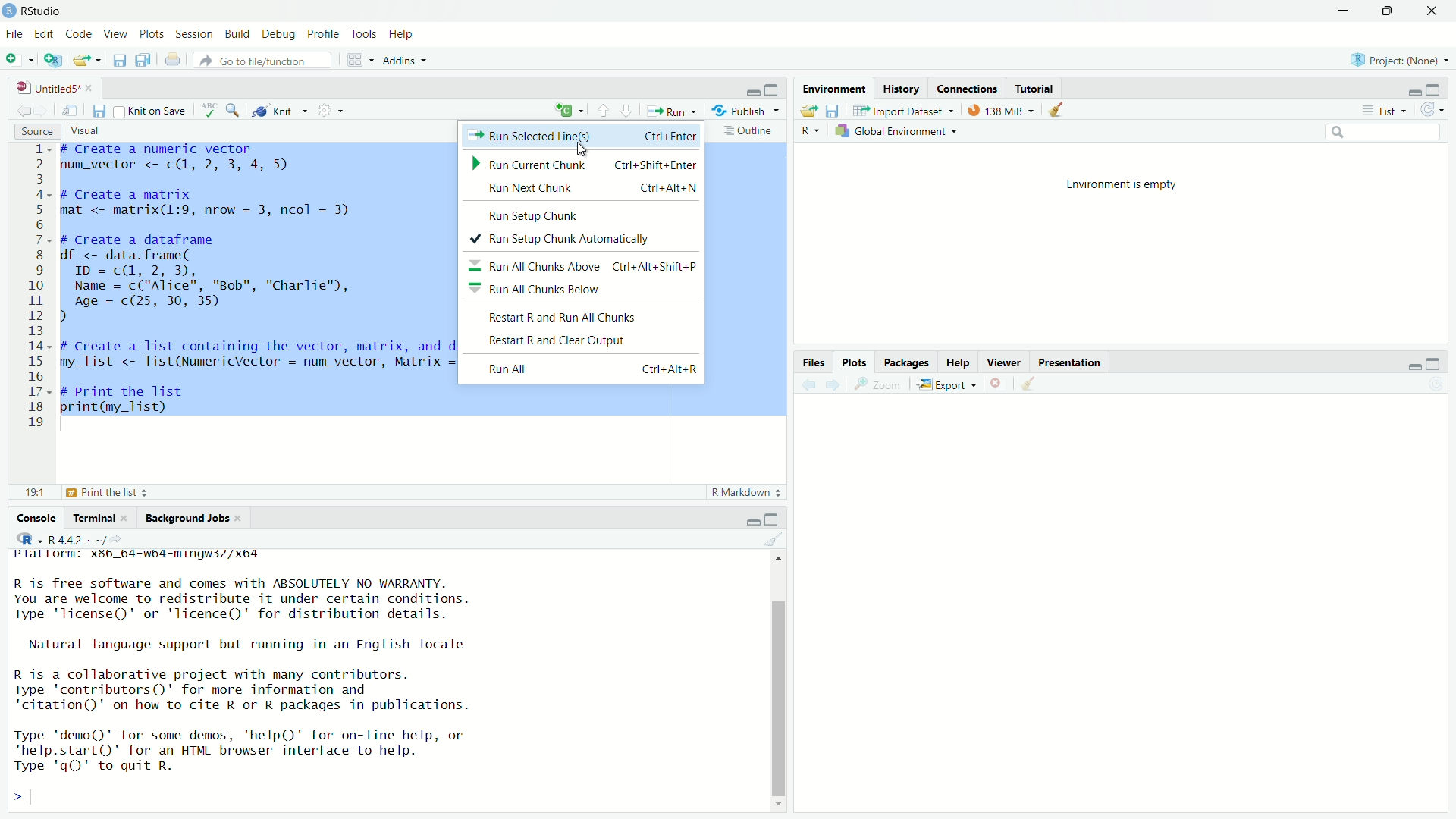 The height and width of the screenshot is (819, 1456). What do you see at coordinates (26, 110) in the screenshot?
I see `back` at bounding box center [26, 110].